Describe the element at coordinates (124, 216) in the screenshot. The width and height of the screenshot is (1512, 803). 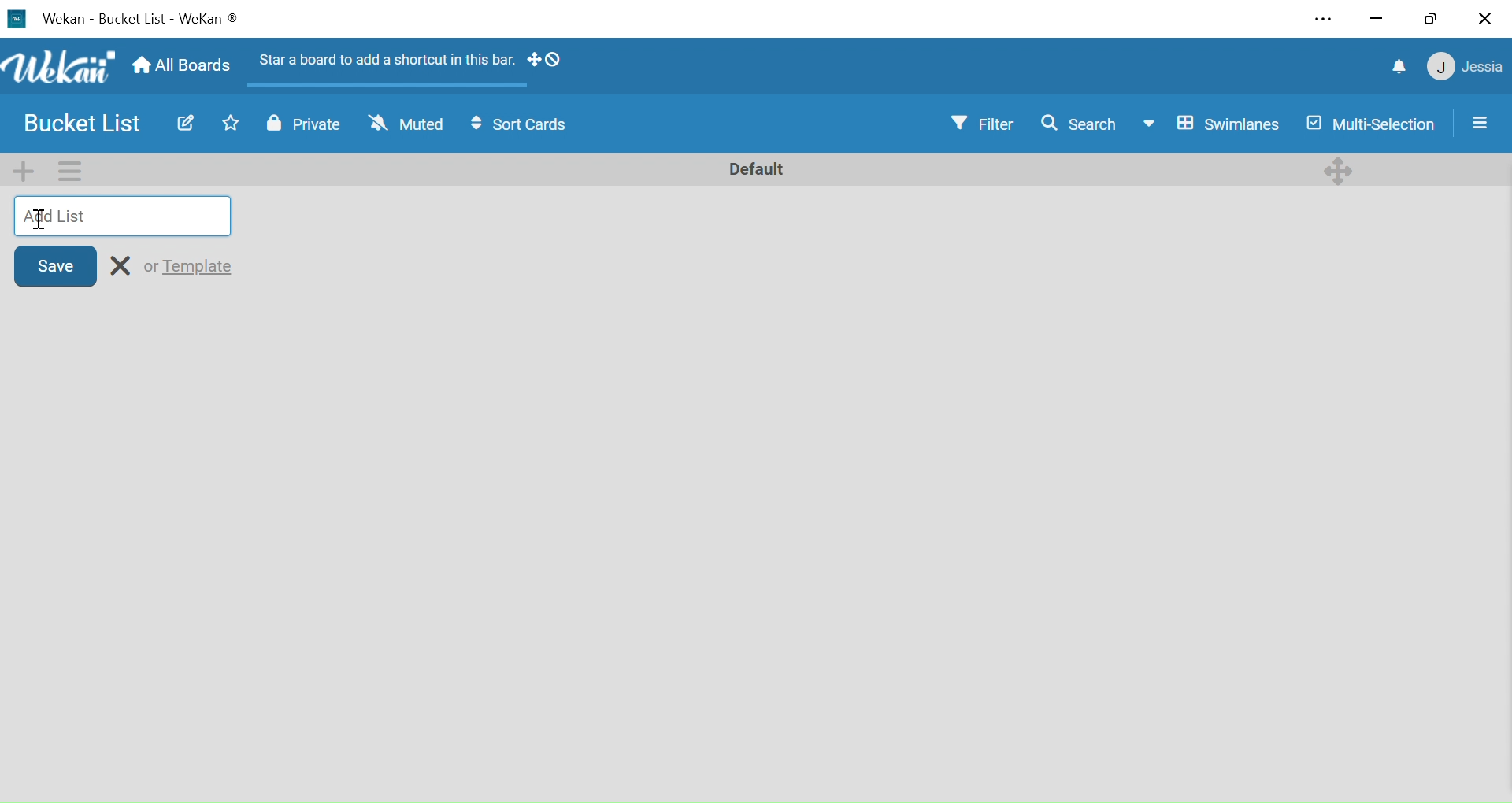
I see `Add list` at that location.